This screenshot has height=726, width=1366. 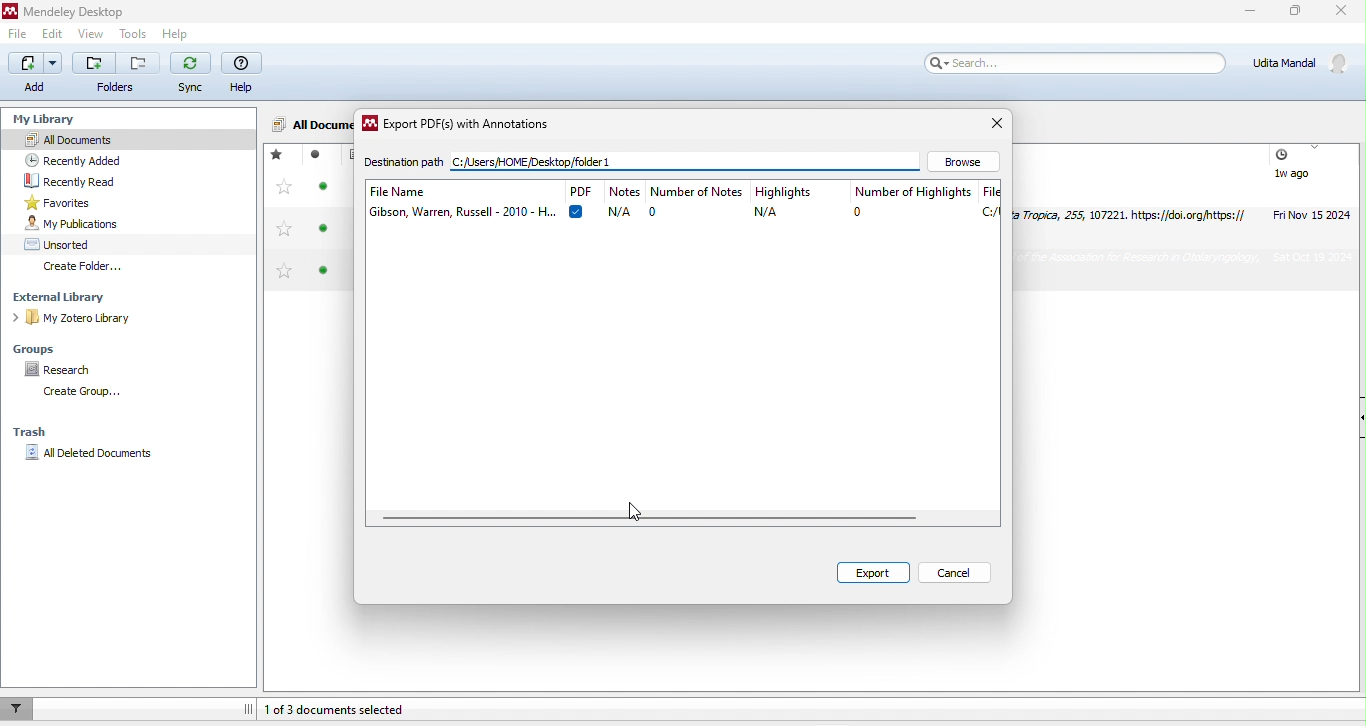 I want to click on export, so click(x=870, y=572).